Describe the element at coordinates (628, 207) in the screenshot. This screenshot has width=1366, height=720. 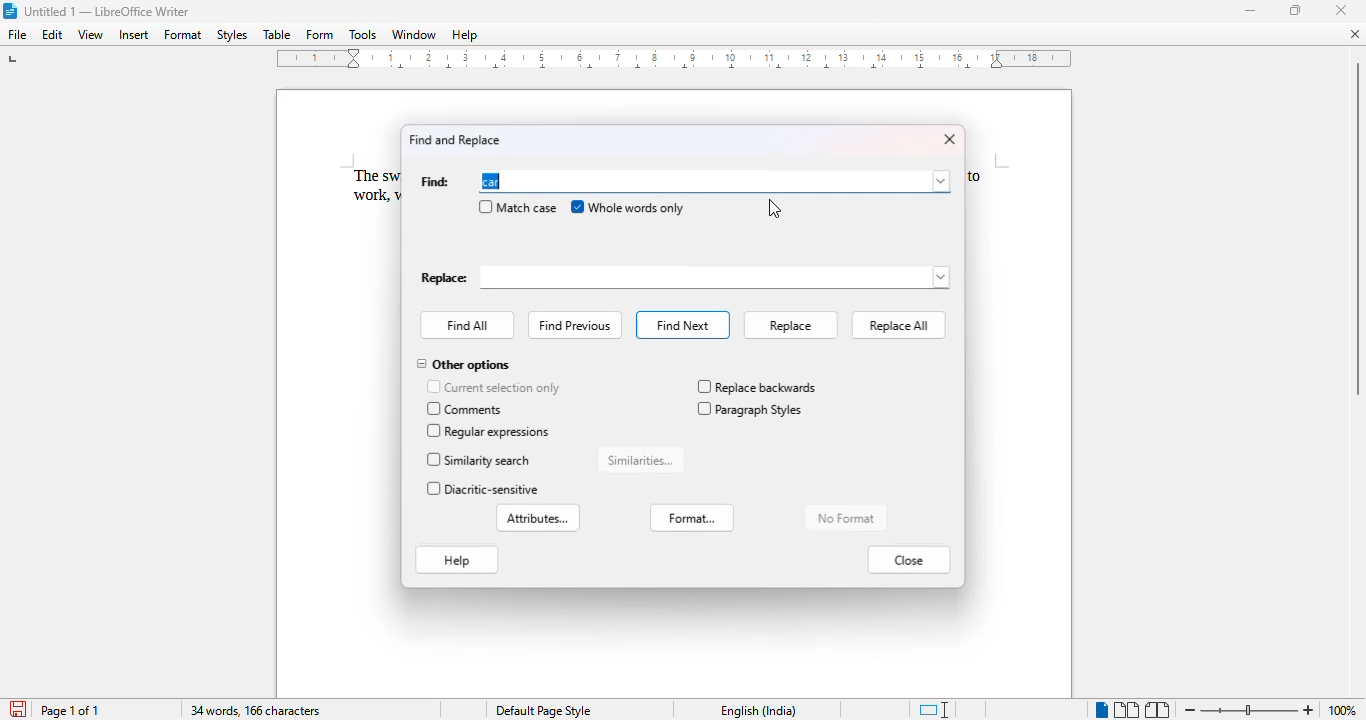
I see `whole words only` at that location.